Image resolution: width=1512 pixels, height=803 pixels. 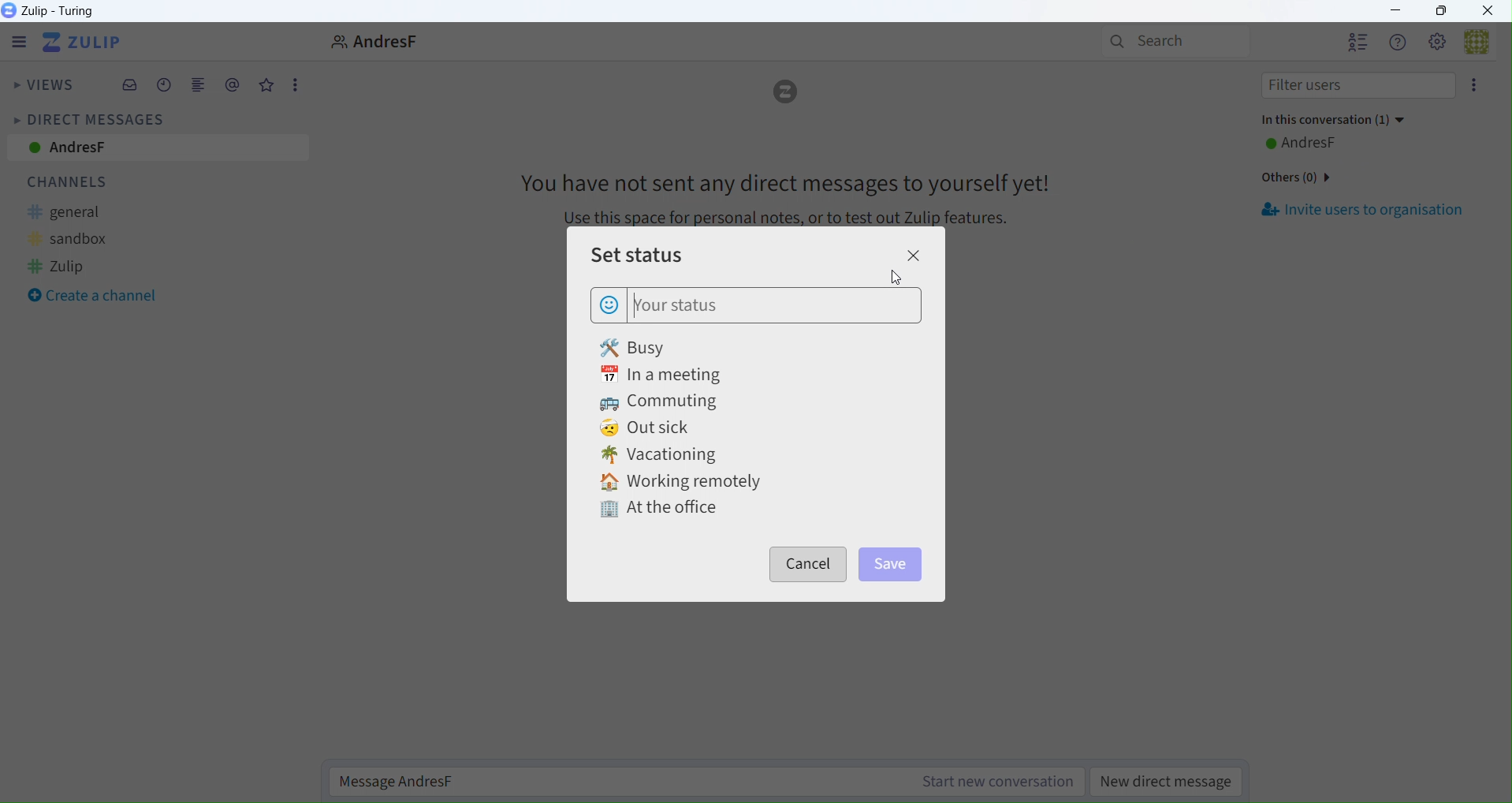 What do you see at coordinates (661, 259) in the screenshot?
I see `Set Status` at bounding box center [661, 259].